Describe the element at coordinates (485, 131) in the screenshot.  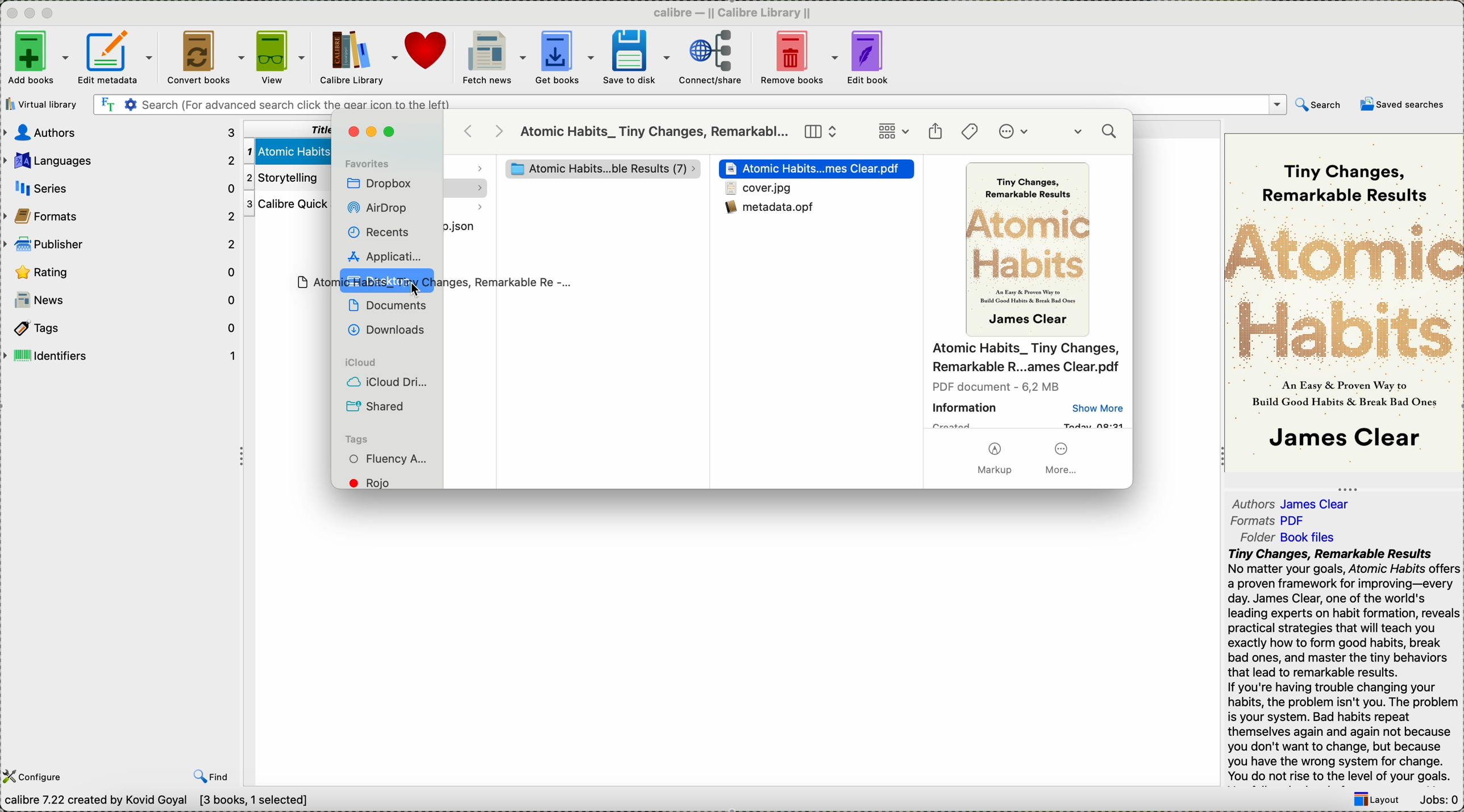
I see `navigate arrows` at that location.